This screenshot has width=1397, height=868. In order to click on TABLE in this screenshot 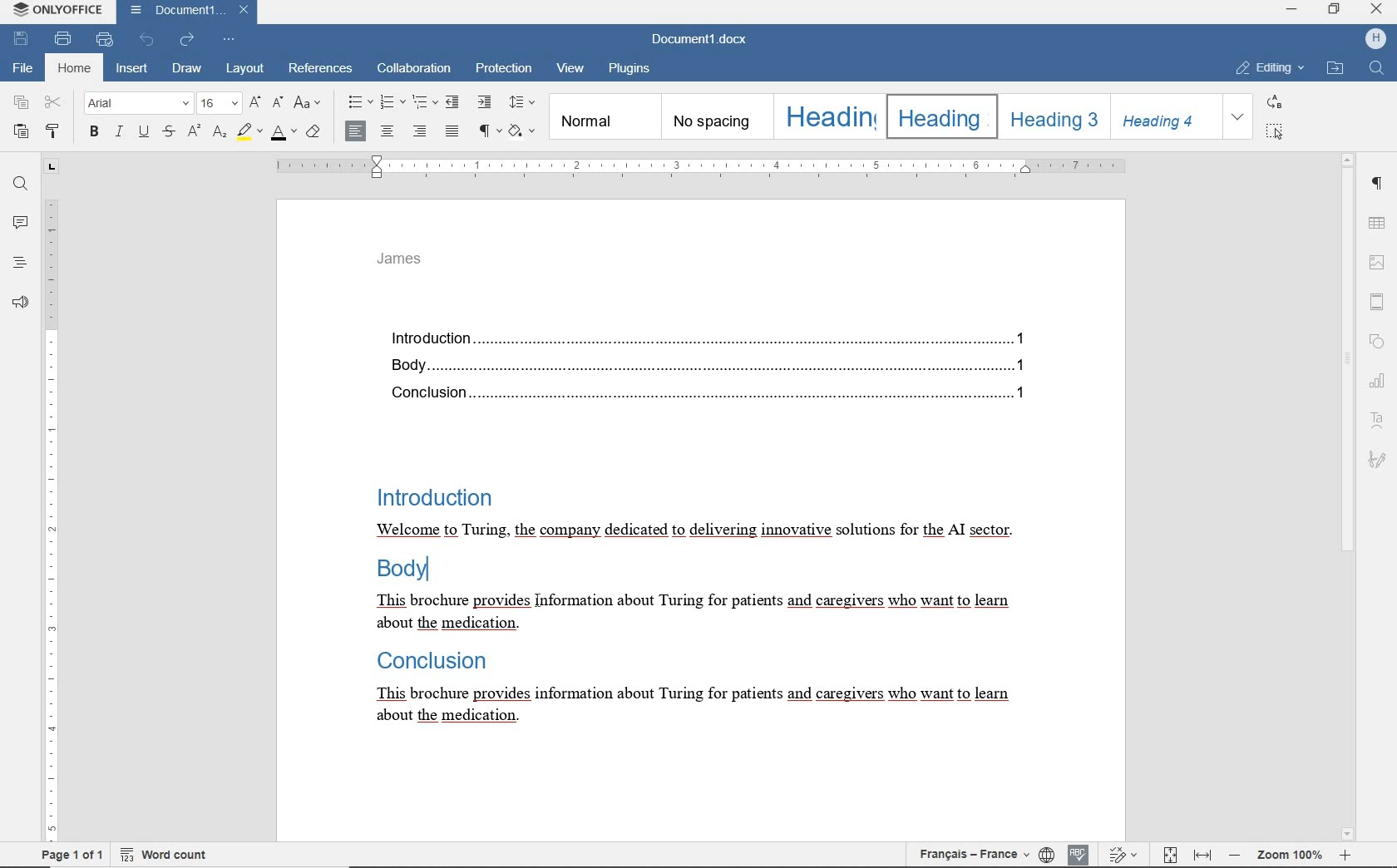, I will do `click(1378, 222)`.